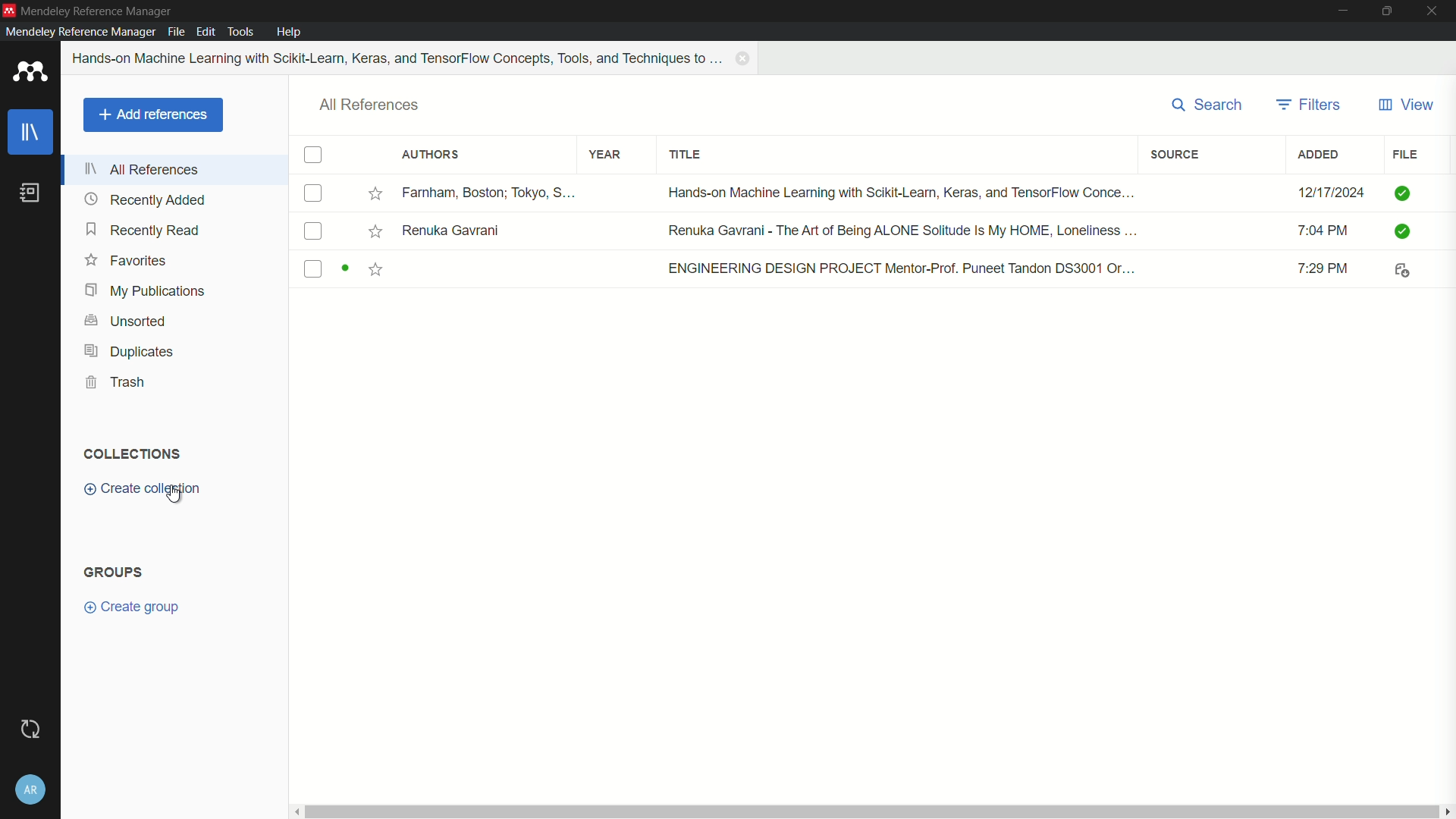 The image size is (1456, 819). I want to click on duplicates, so click(130, 351).